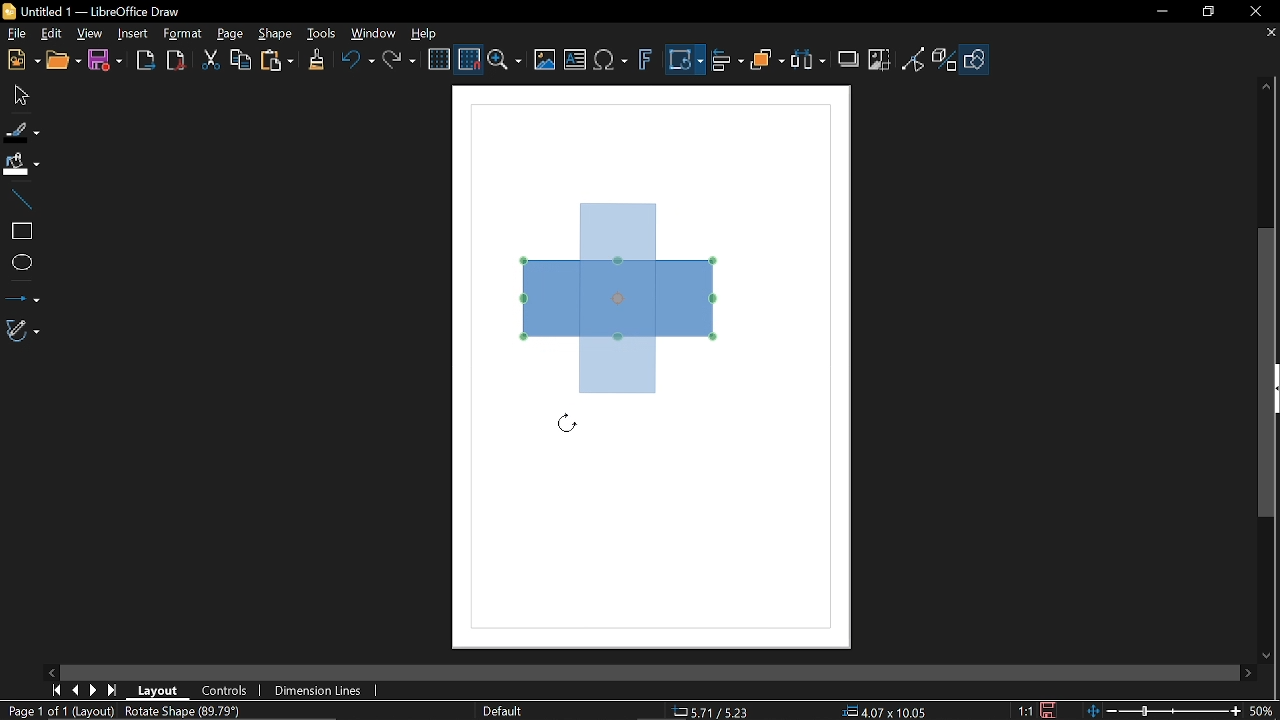 This screenshot has width=1280, height=720. Describe the element at coordinates (566, 426) in the screenshot. I see `Cursor` at that location.